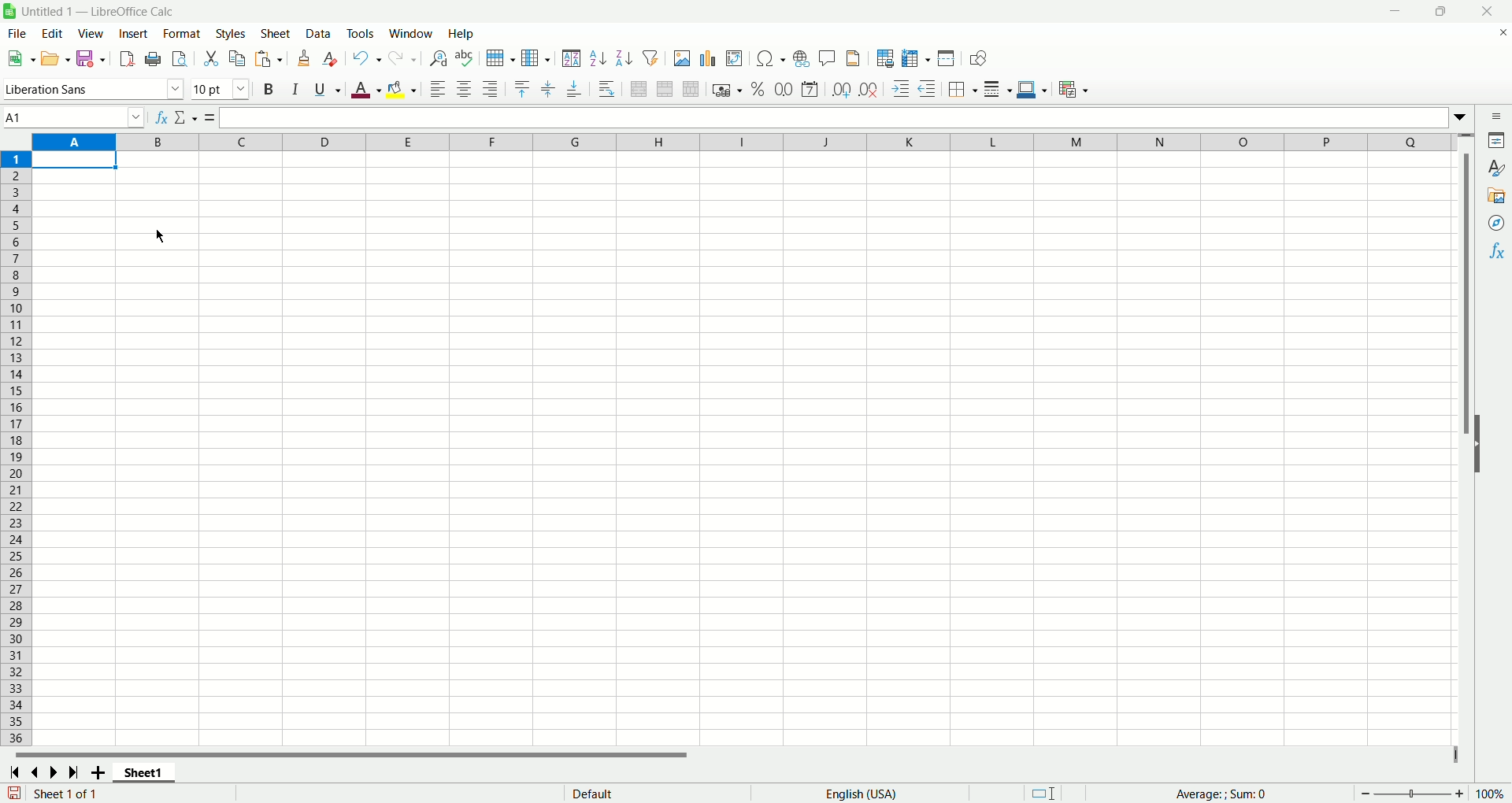  I want to click on columns, so click(733, 142).